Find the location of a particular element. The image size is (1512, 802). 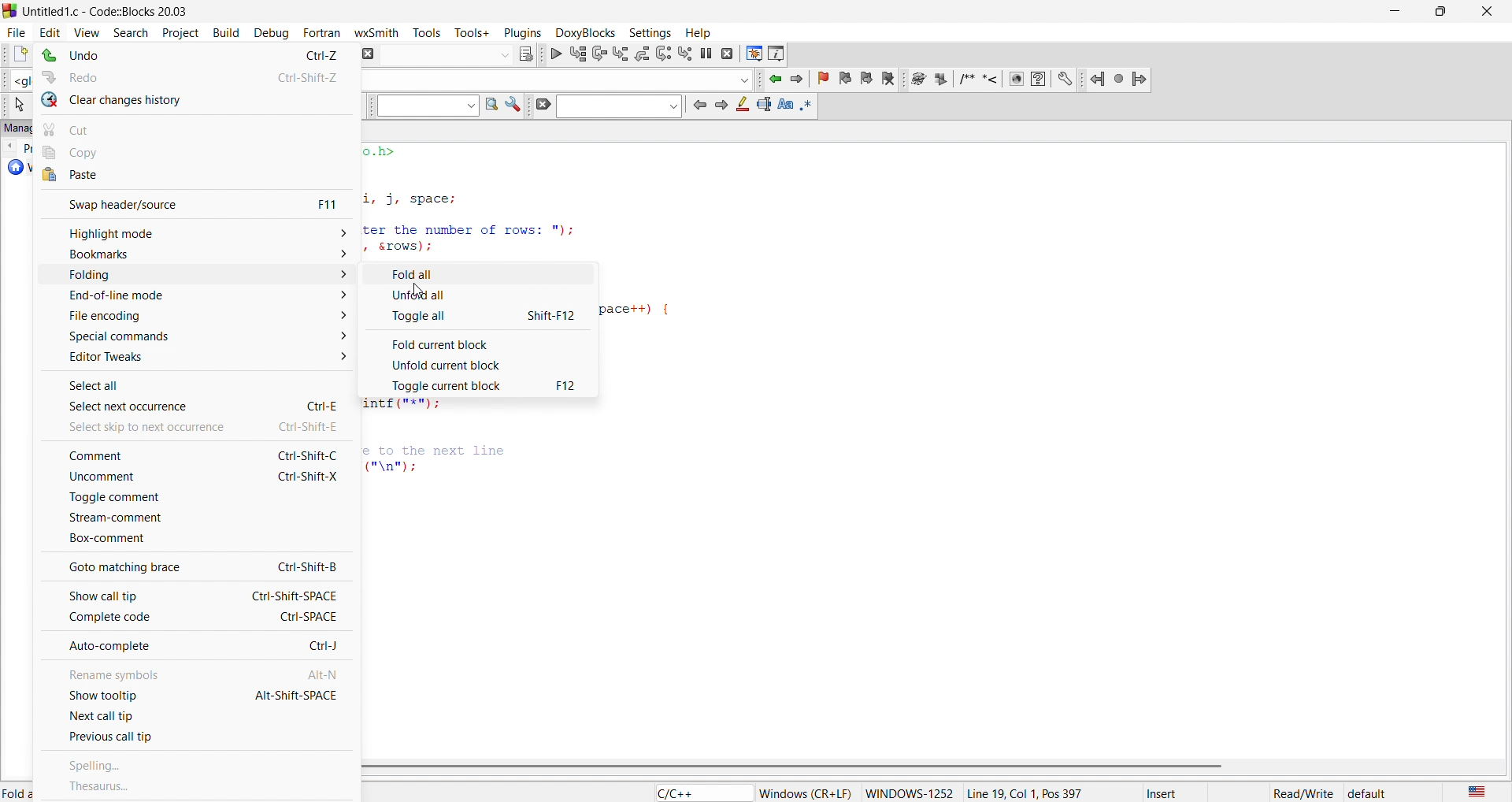

setting is located at coordinates (647, 32).